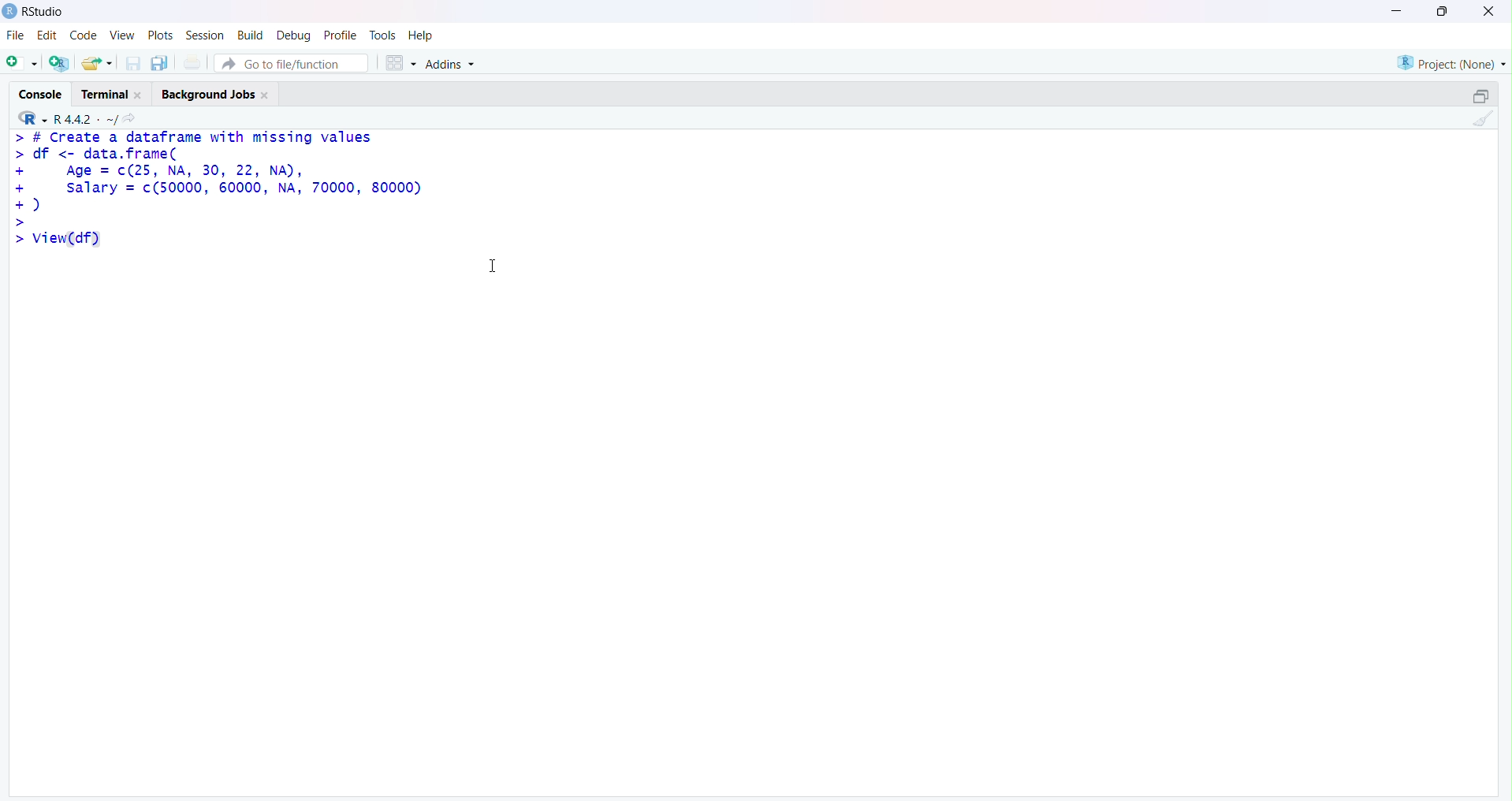 Image resolution: width=1512 pixels, height=801 pixels. I want to click on Clear Console (Ctrl + L), so click(1480, 121).